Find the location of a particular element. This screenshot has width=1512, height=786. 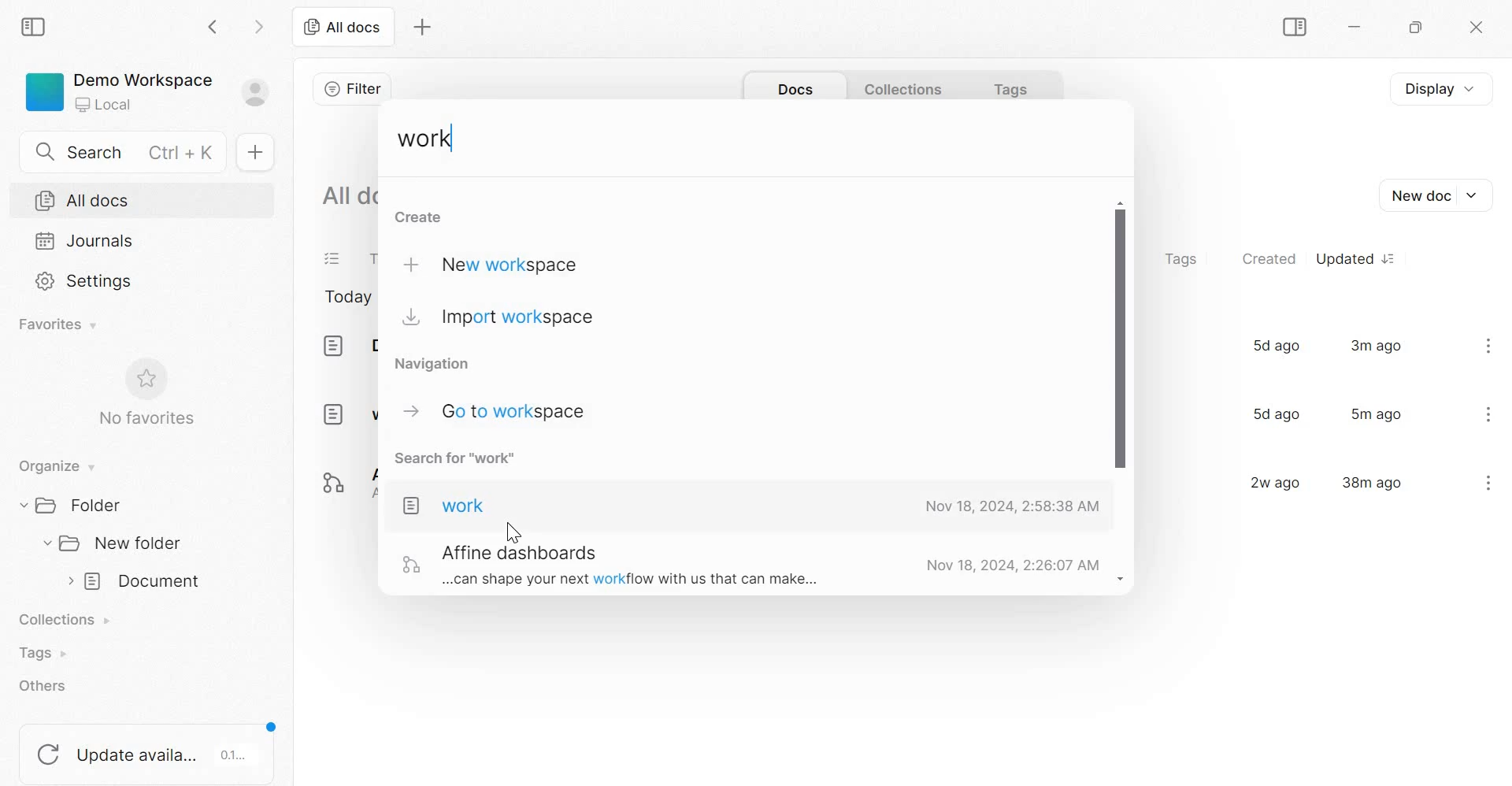

Nov 18, 2024, 2:26:07 AM is located at coordinates (1010, 565).